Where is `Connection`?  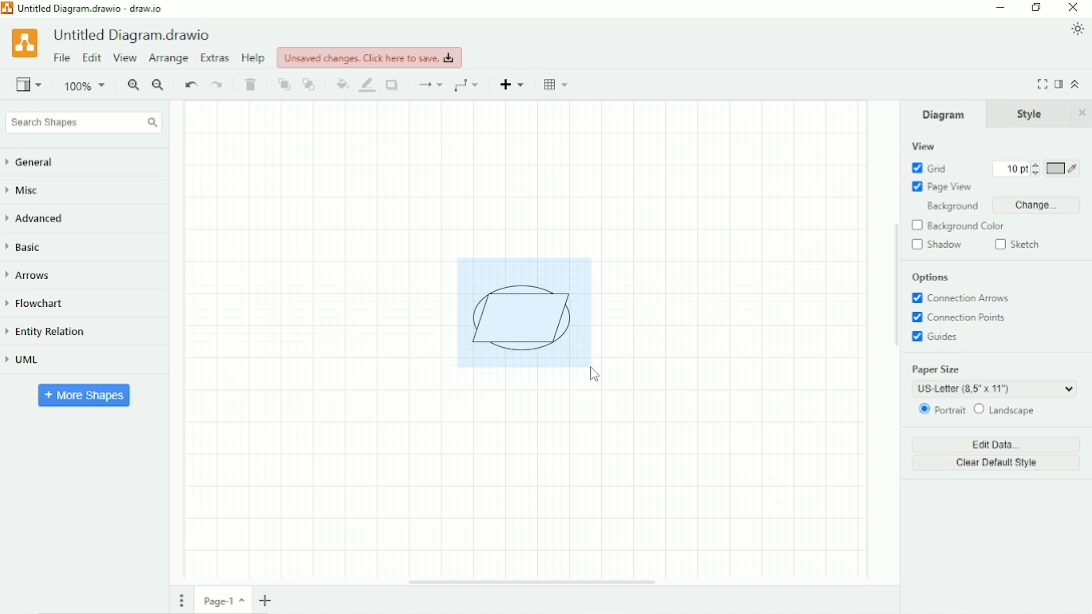 Connection is located at coordinates (429, 85).